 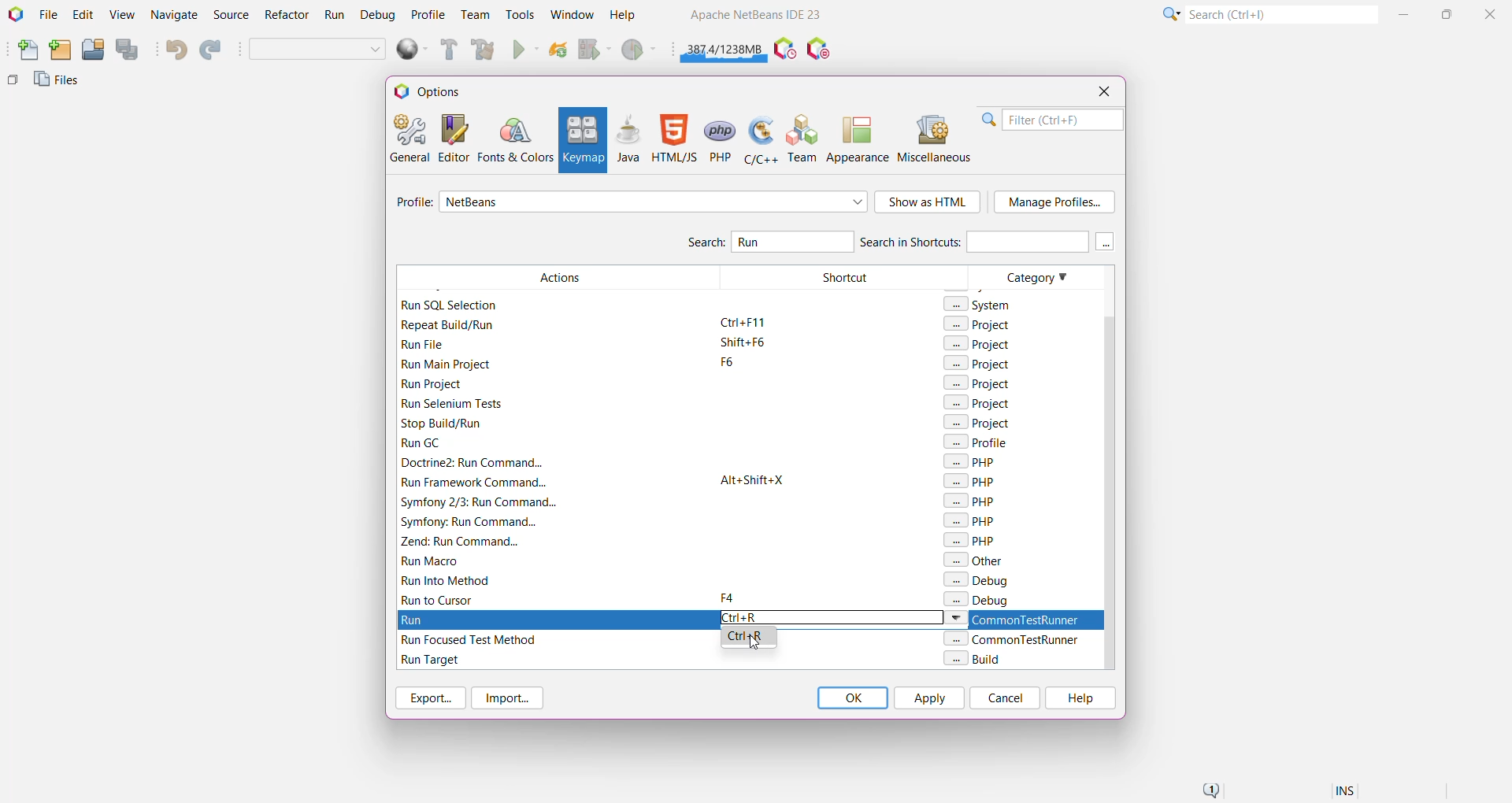 What do you see at coordinates (555, 649) in the screenshot?
I see `Filtered Actions with Run keyword` at bounding box center [555, 649].